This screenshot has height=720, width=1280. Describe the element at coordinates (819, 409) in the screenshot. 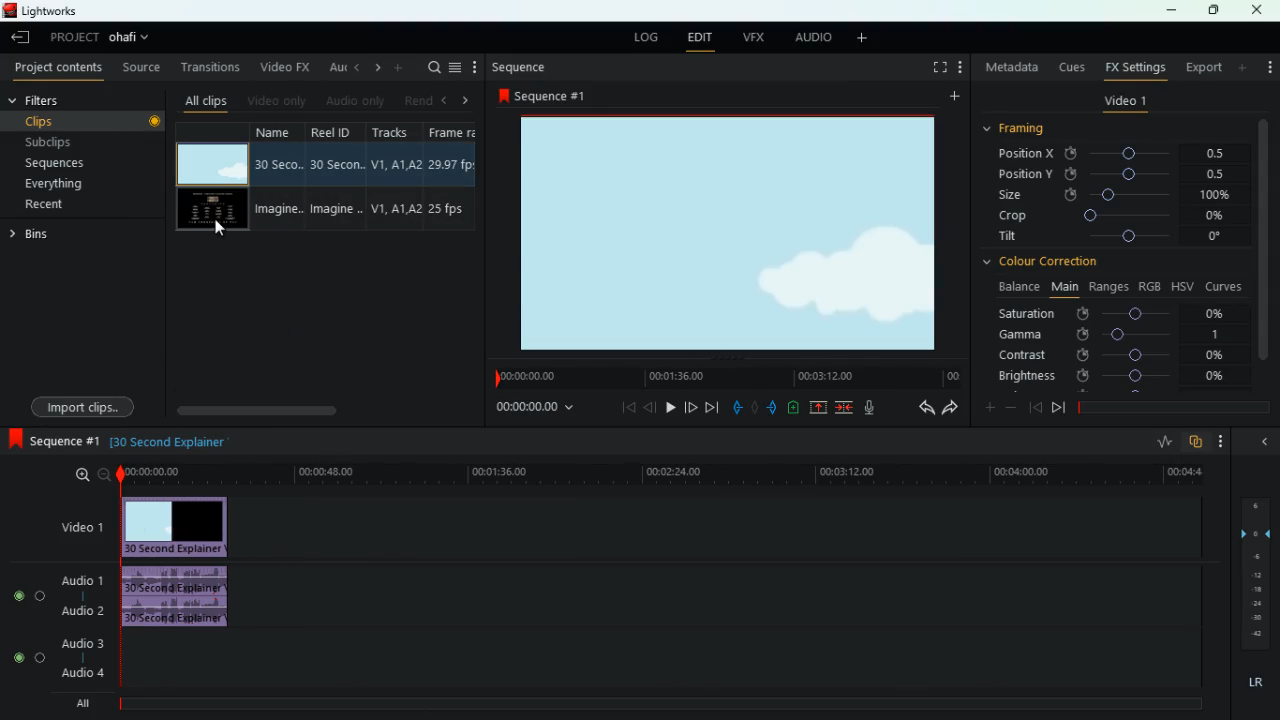

I see `up` at that location.